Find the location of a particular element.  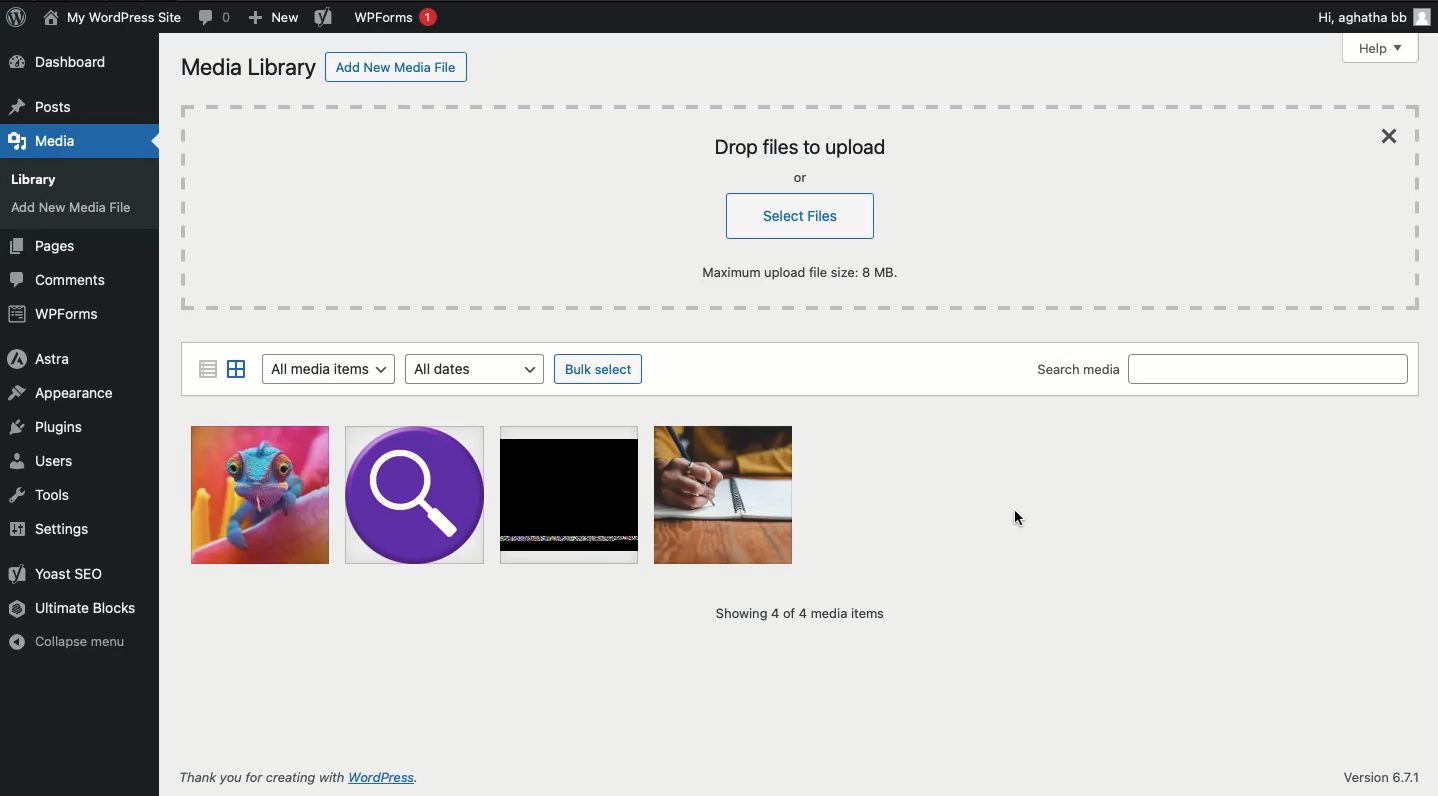

Dashboard is located at coordinates (75, 62).